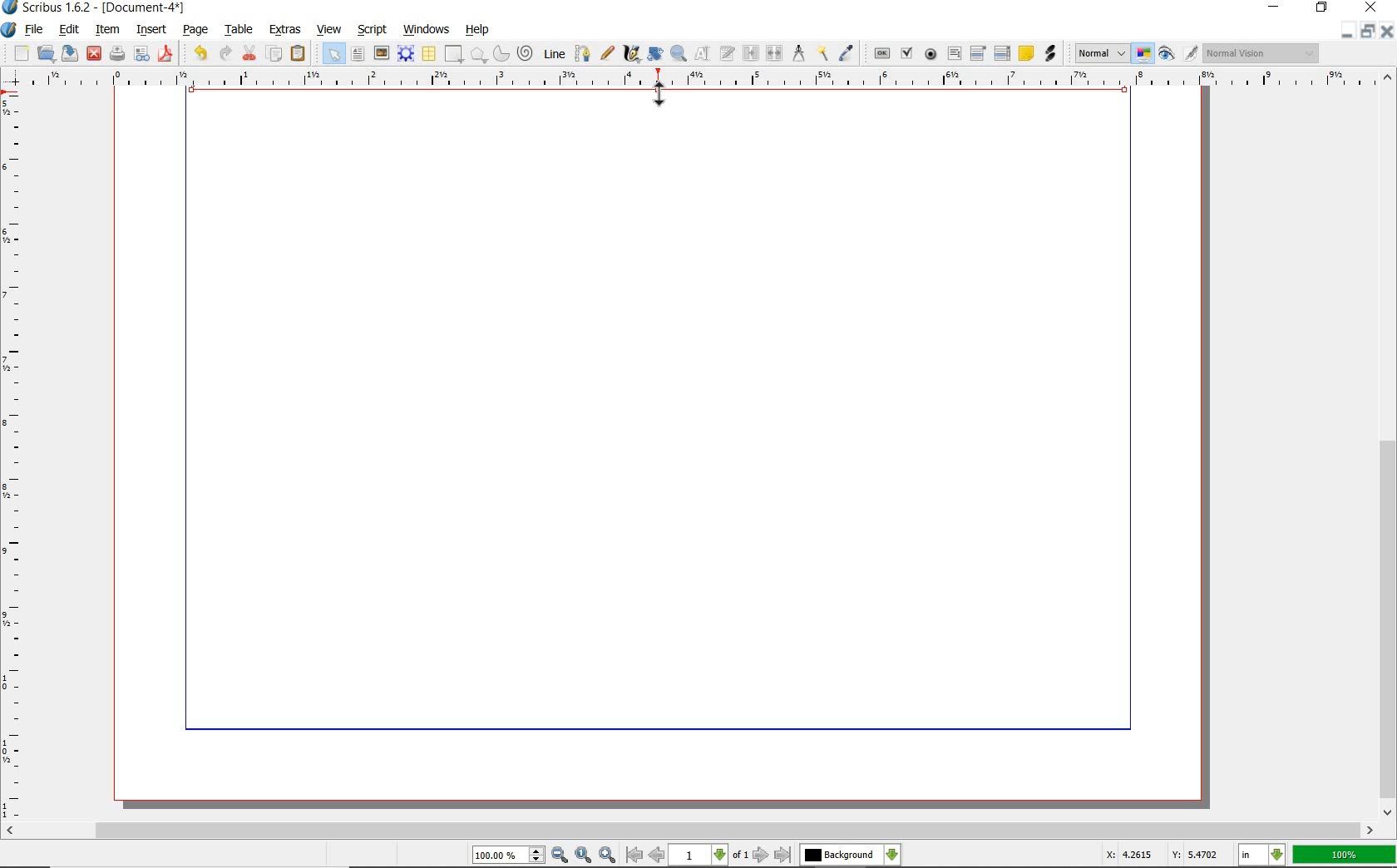  What do you see at coordinates (654, 55) in the screenshot?
I see `rotate item` at bounding box center [654, 55].